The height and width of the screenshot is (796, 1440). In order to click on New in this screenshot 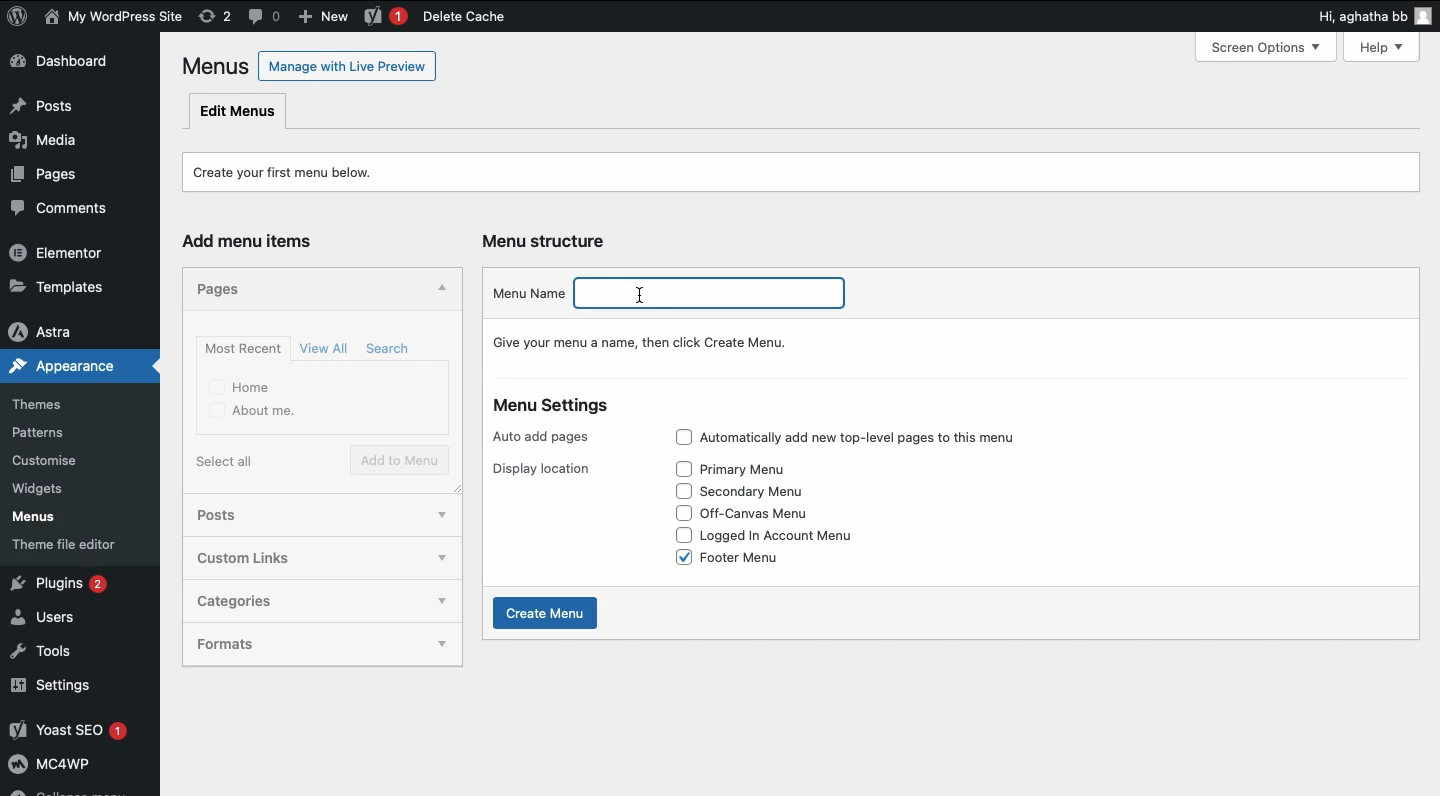, I will do `click(327, 18)`.